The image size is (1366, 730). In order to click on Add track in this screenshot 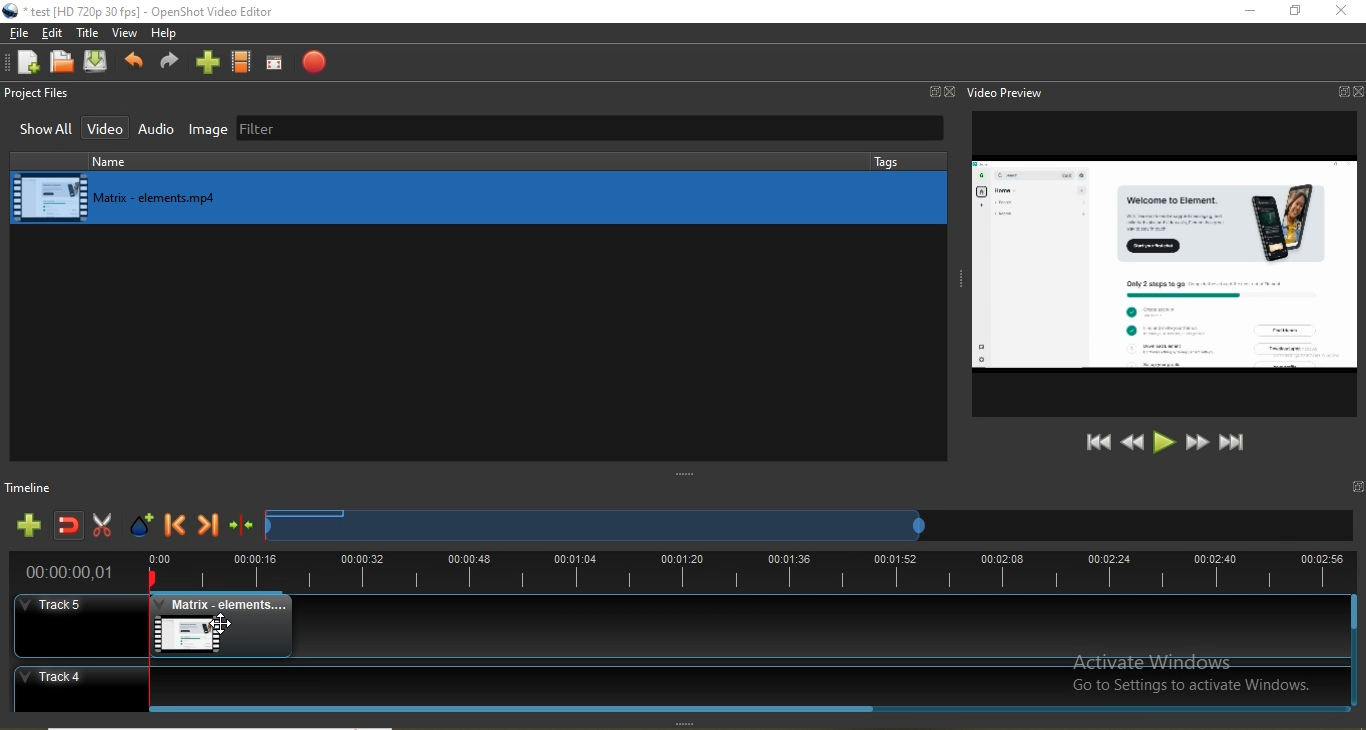, I will do `click(30, 525)`.